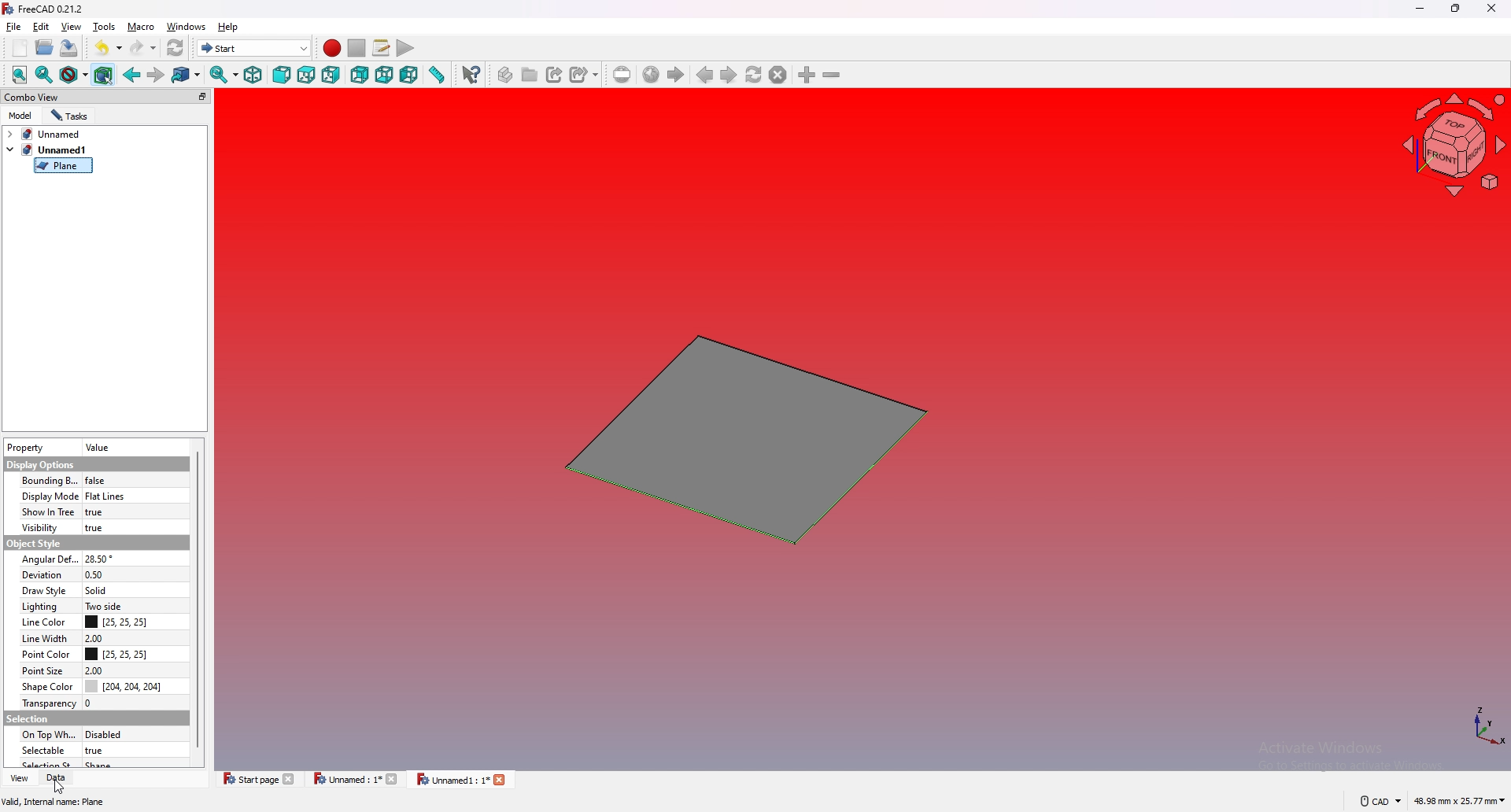 The height and width of the screenshot is (812, 1511). What do you see at coordinates (46, 703) in the screenshot?
I see `transparency` at bounding box center [46, 703].